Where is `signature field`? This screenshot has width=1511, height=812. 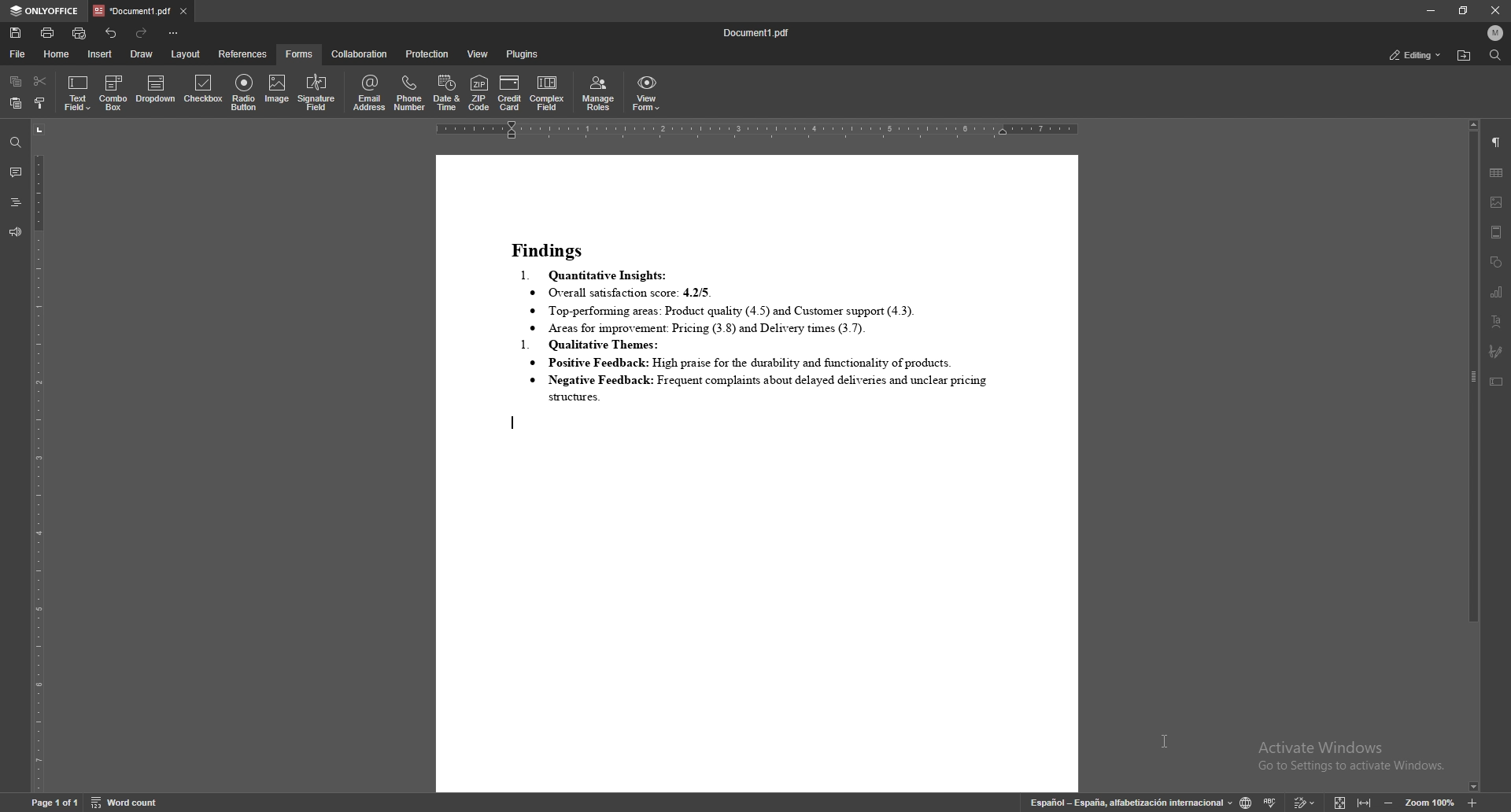 signature field is located at coordinates (1495, 350).